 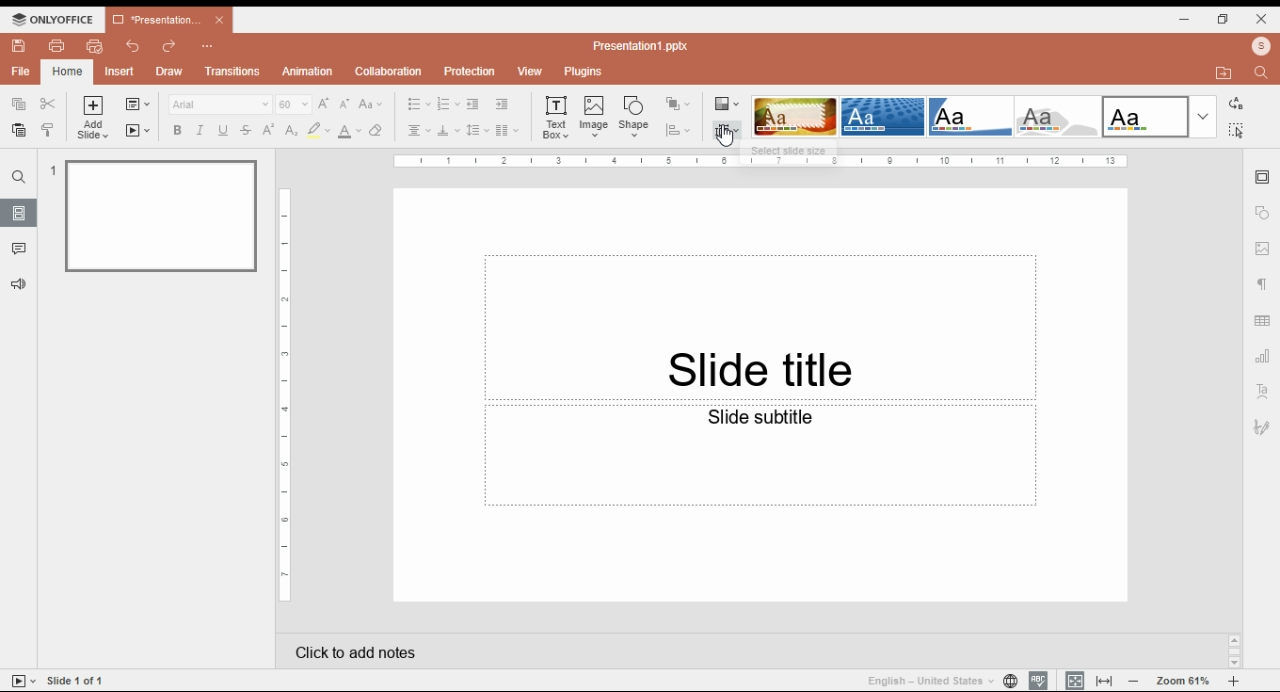 I want to click on minimize, so click(x=1185, y=18).